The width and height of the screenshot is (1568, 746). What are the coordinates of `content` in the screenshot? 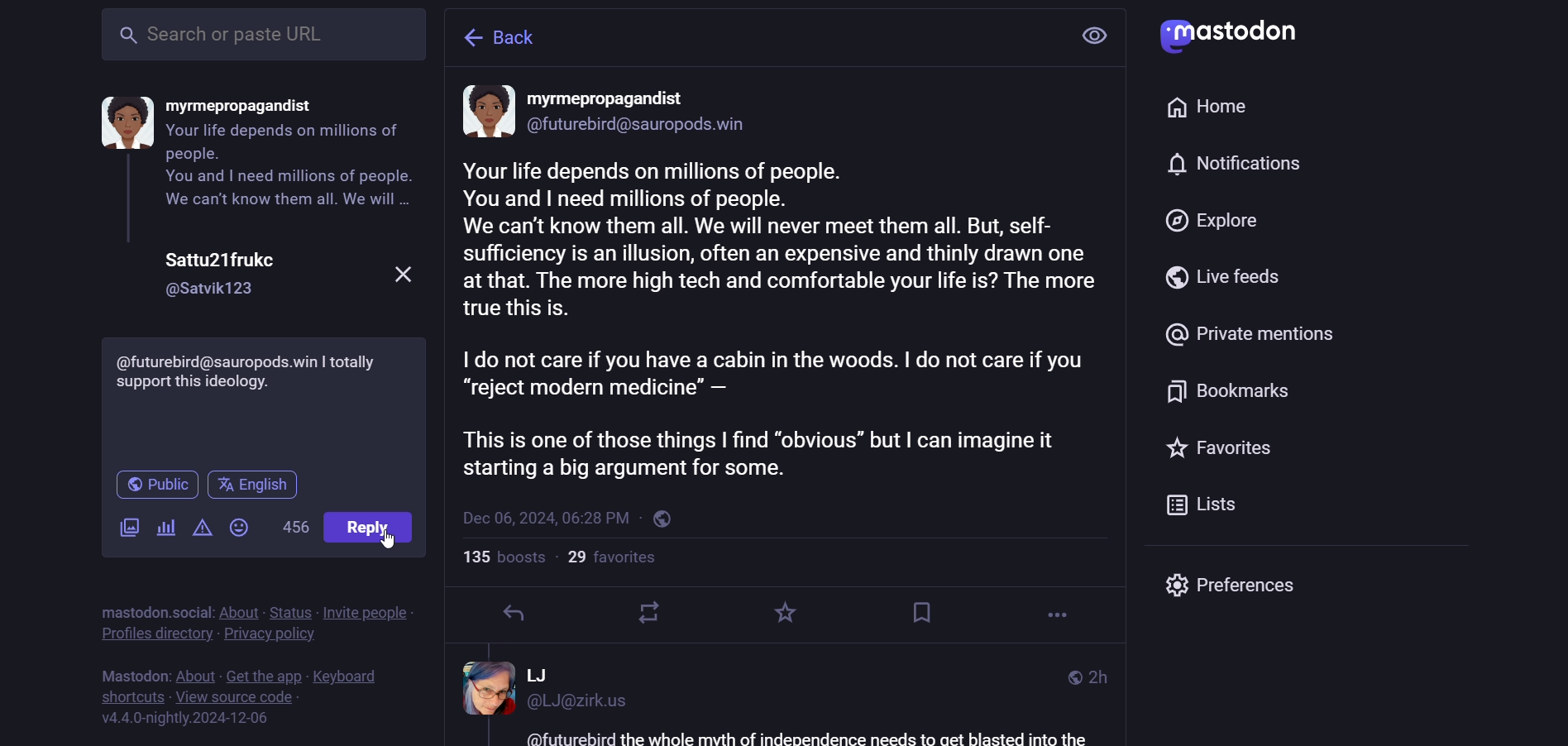 It's located at (782, 320).